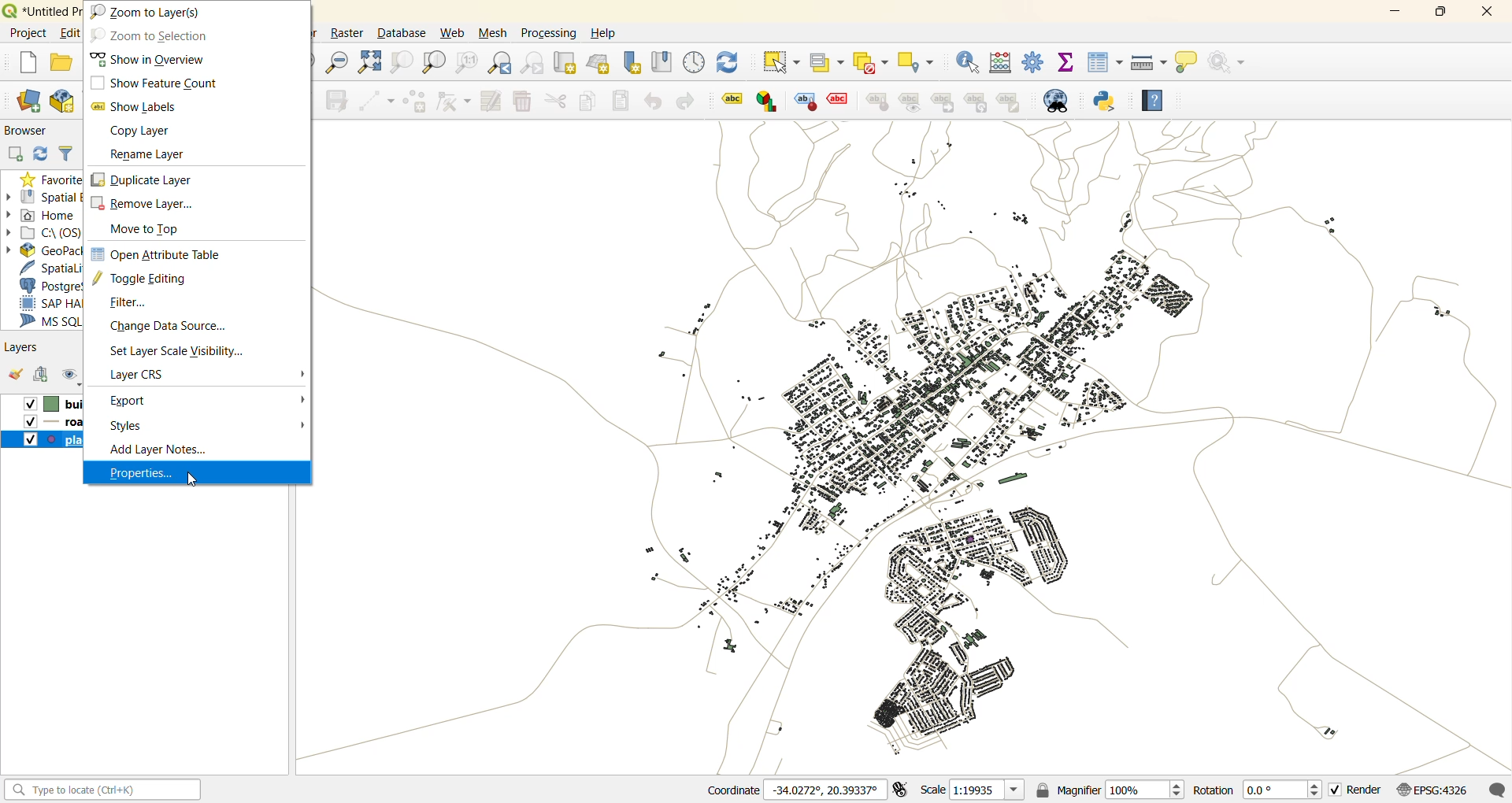 The image size is (1512, 803). Describe the element at coordinates (902, 790) in the screenshot. I see `toggle extensions` at that location.